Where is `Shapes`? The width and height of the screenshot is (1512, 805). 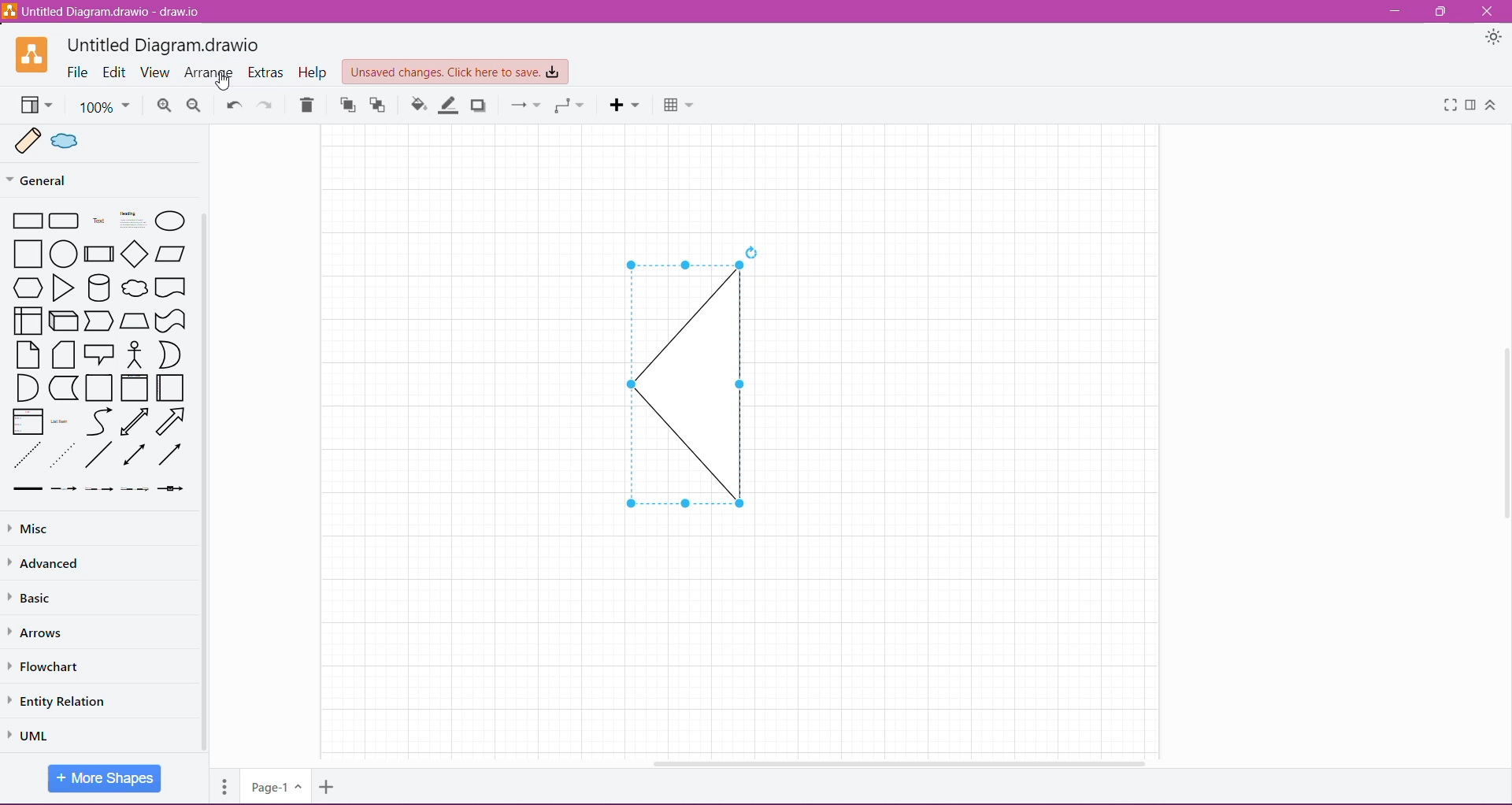
Shapes is located at coordinates (100, 351).